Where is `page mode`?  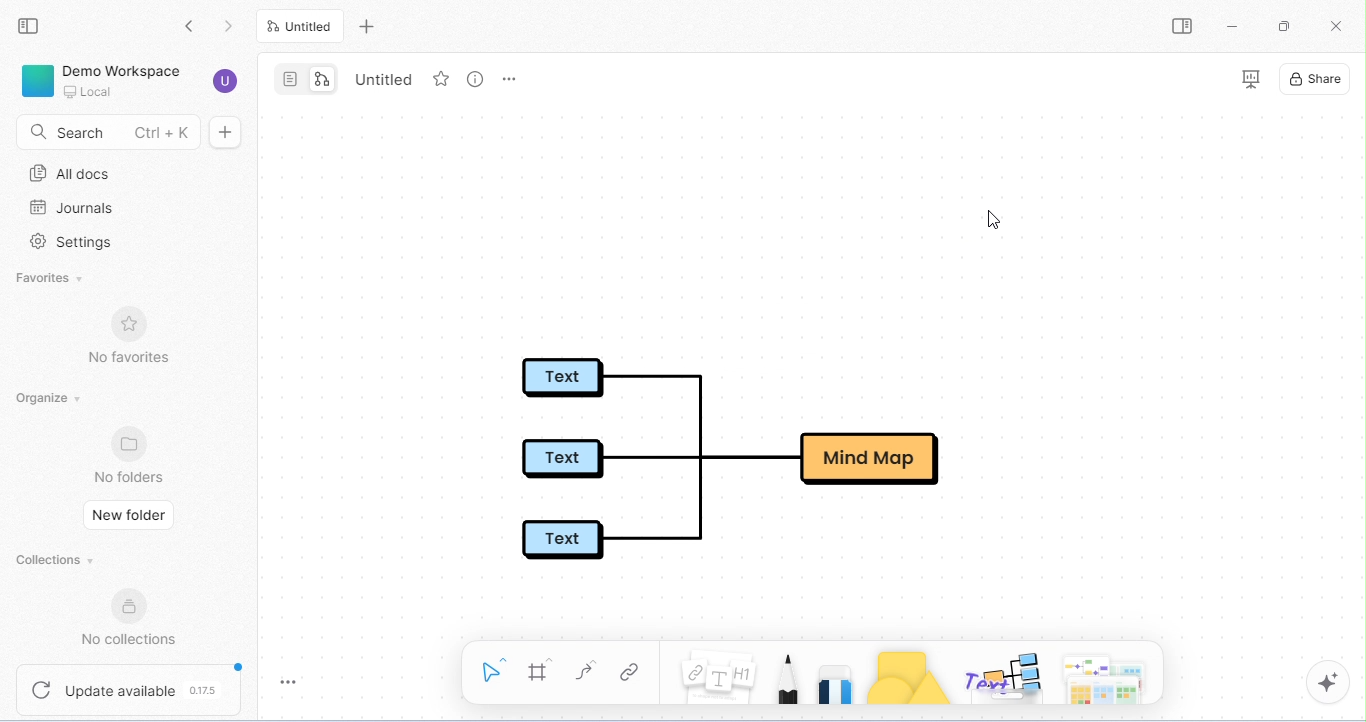
page mode is located at coordinates (289, 79).